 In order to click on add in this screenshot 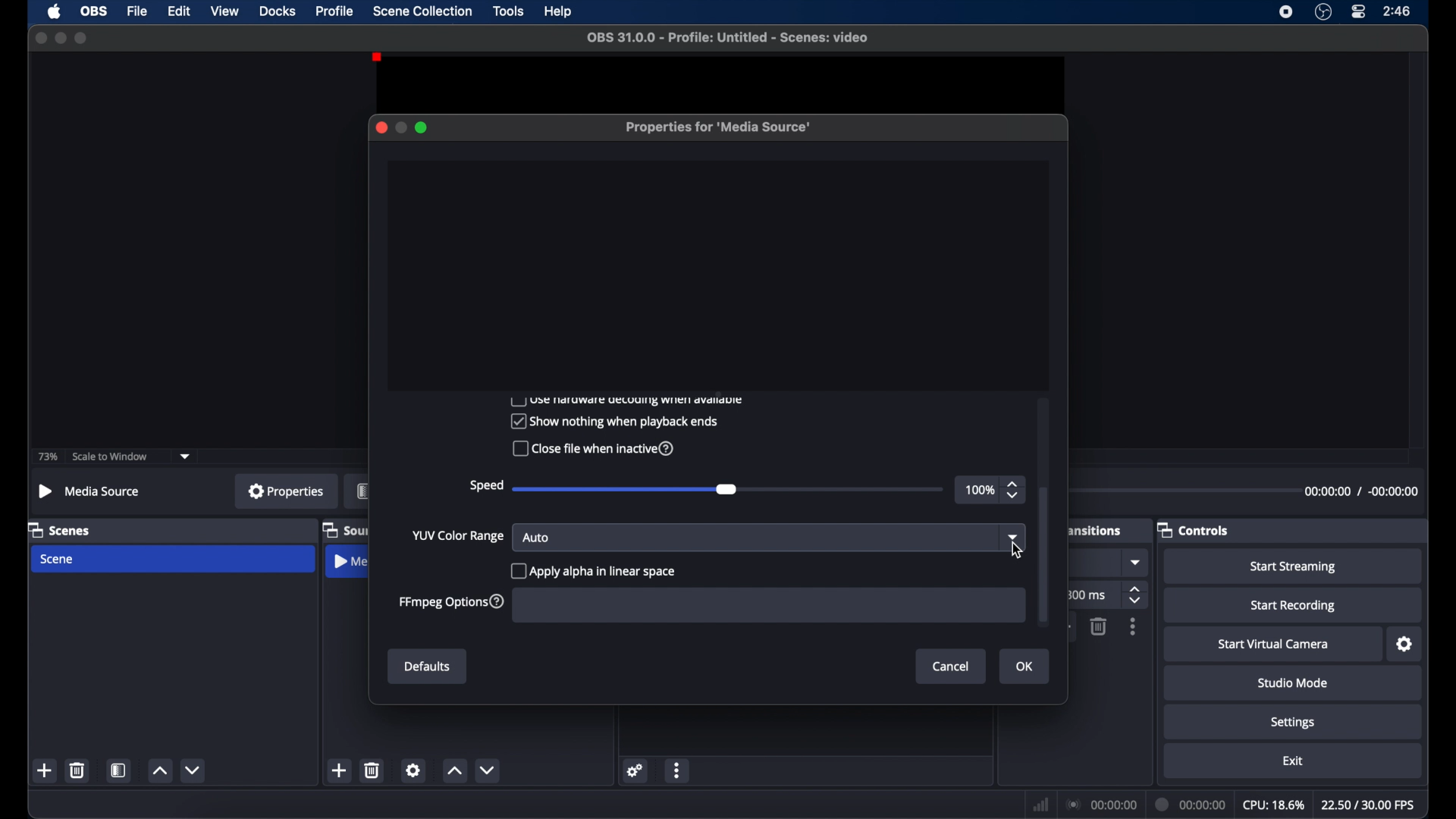, I will do `click(45, 770)`.